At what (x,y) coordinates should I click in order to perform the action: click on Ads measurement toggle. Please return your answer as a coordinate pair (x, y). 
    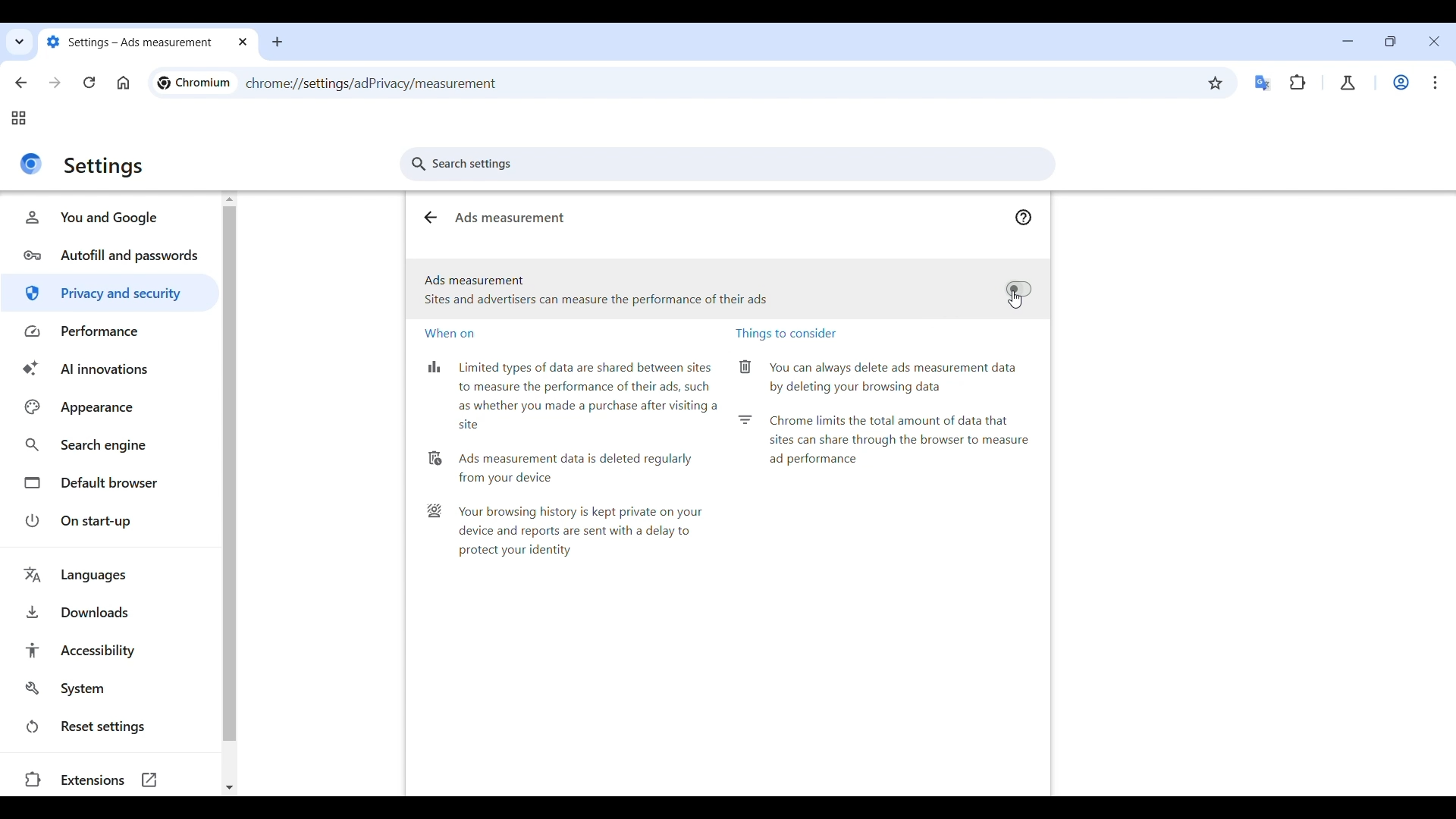
    Looking at the image, I should click on (727, 292).